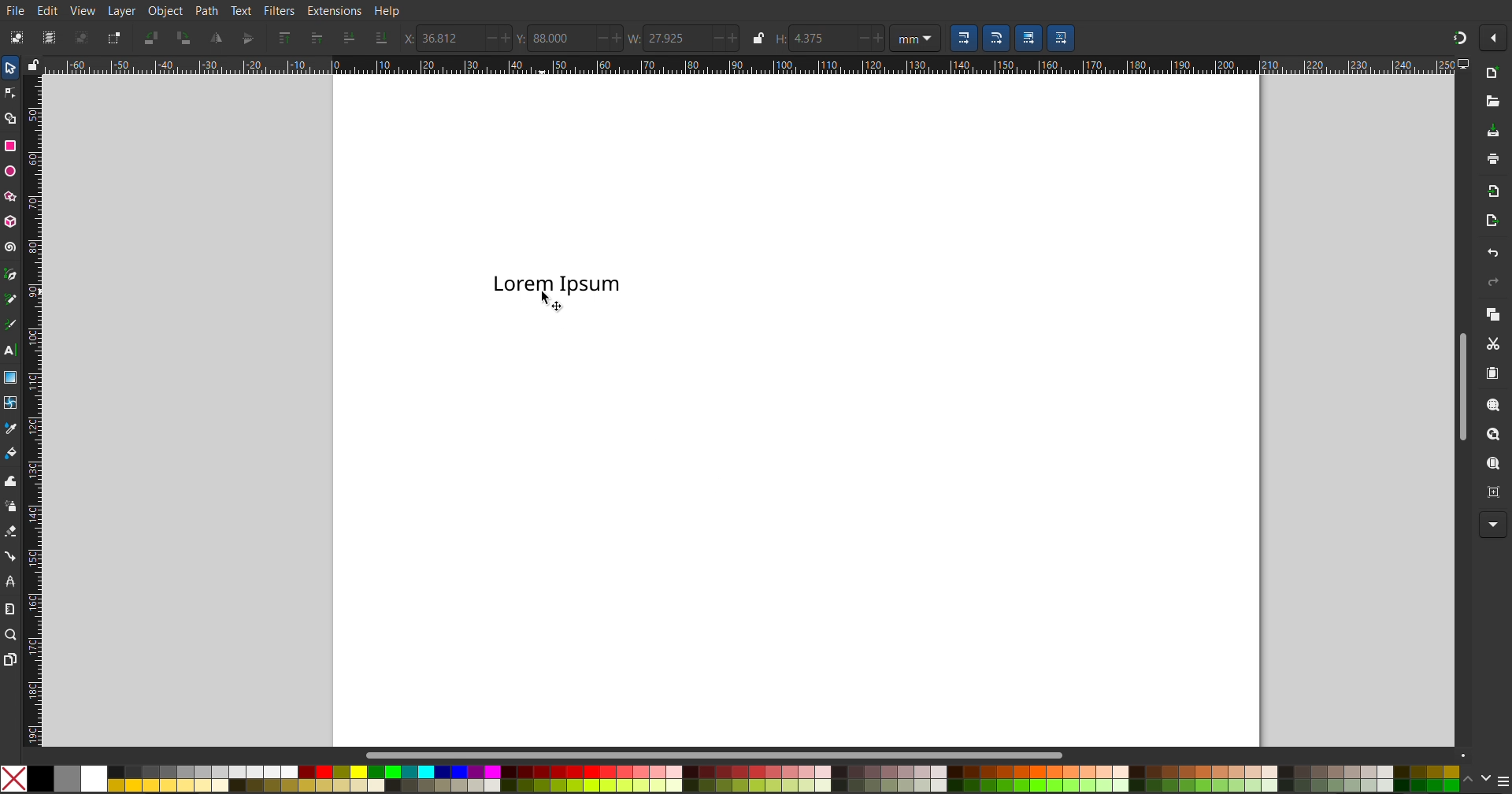 This screenshot has height=794, width=1512. Describe the element at coordinates (11, 425) in the screenshot. I see `Dropper Tool` at that location.